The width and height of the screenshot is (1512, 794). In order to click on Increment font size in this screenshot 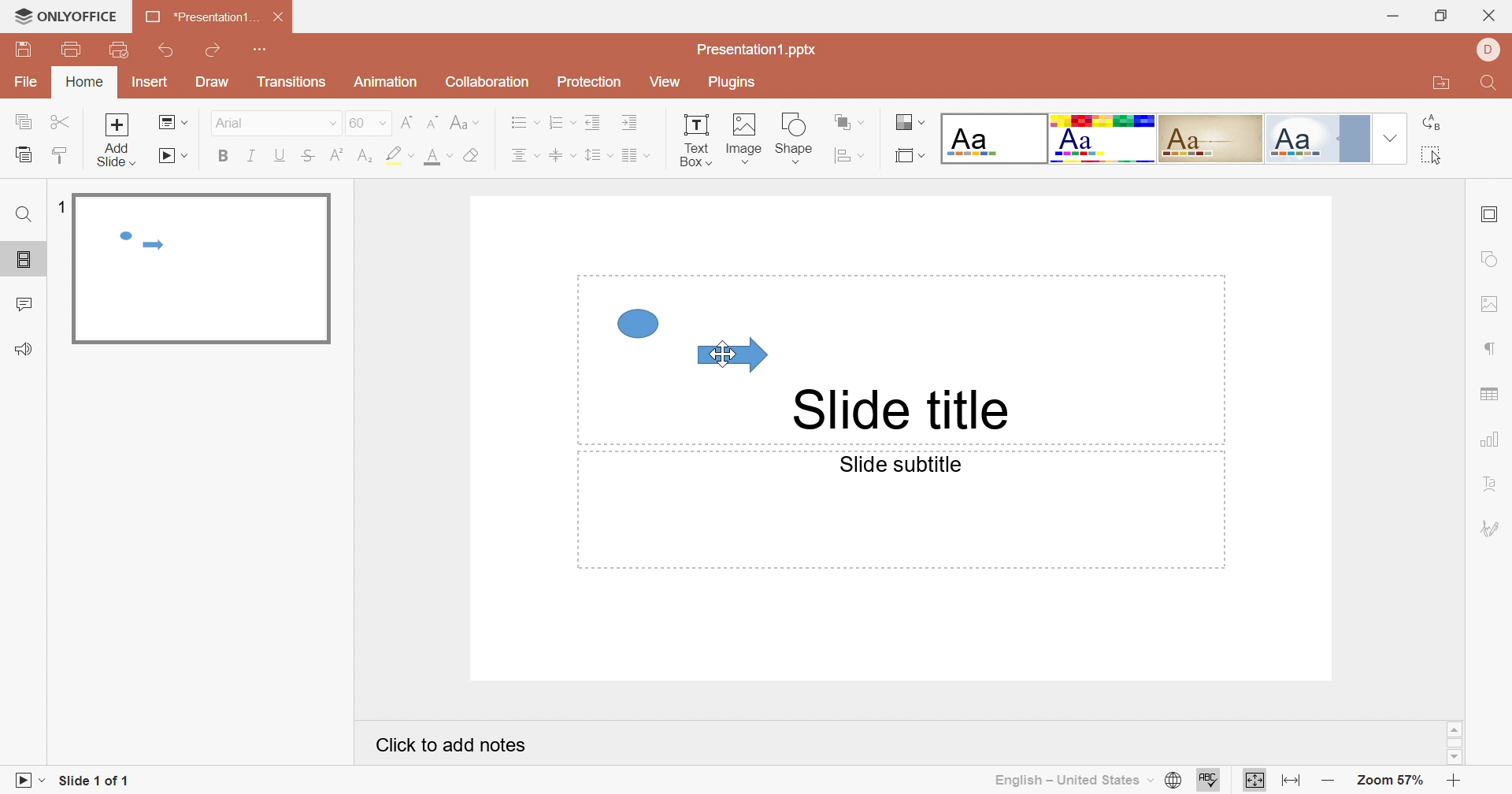, I will do `click(407, 121)`.